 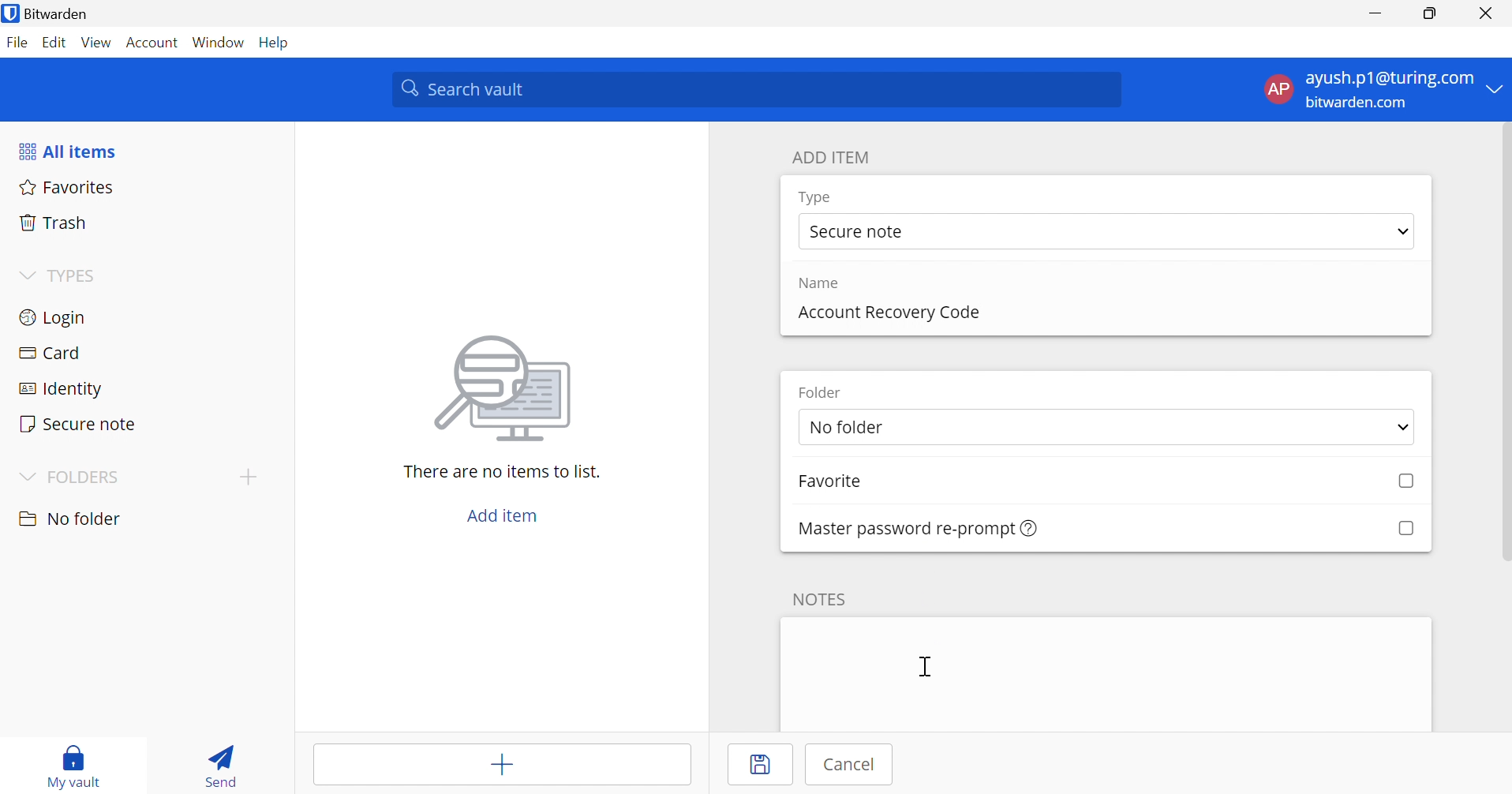 What do you see at coordinates (24, 275) in the screenshot?
I see `Dropdown` at bounding box center [24, 275].